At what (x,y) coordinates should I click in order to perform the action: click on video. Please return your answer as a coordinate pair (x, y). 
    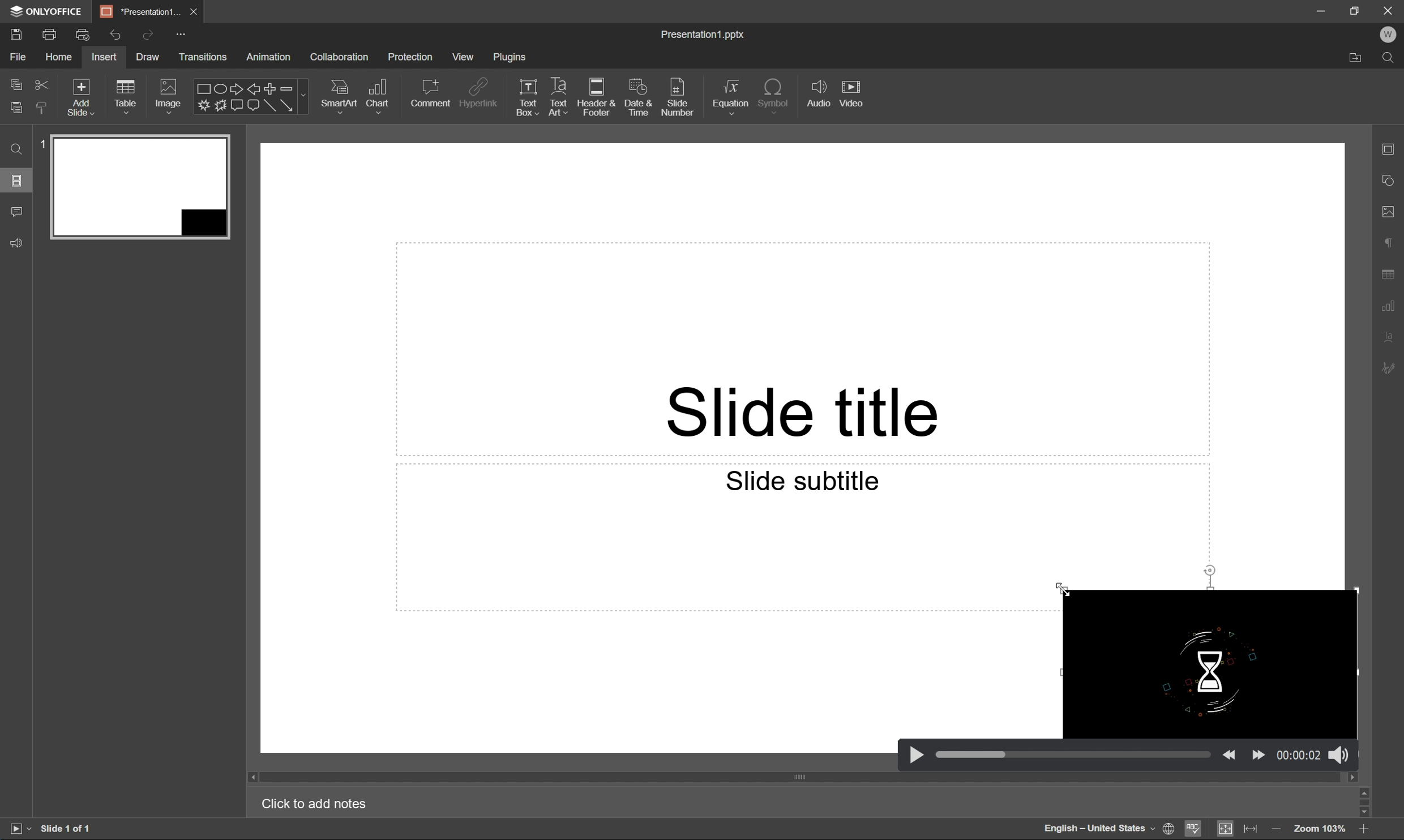
    Looking at the image, I should click on (853, 93).